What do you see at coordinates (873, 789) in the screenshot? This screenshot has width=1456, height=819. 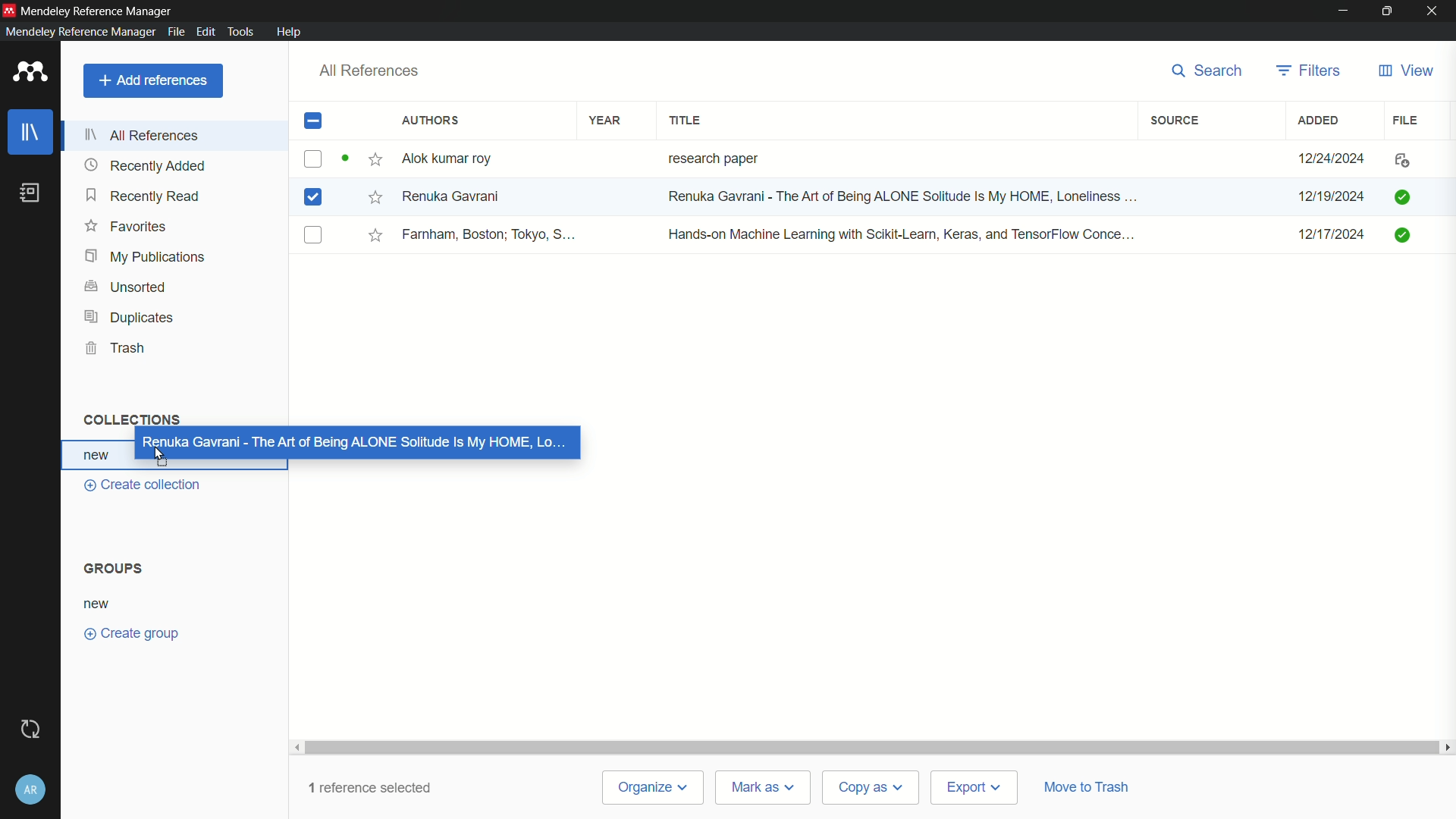 I see `copy as` at bounding box center [873, 789].